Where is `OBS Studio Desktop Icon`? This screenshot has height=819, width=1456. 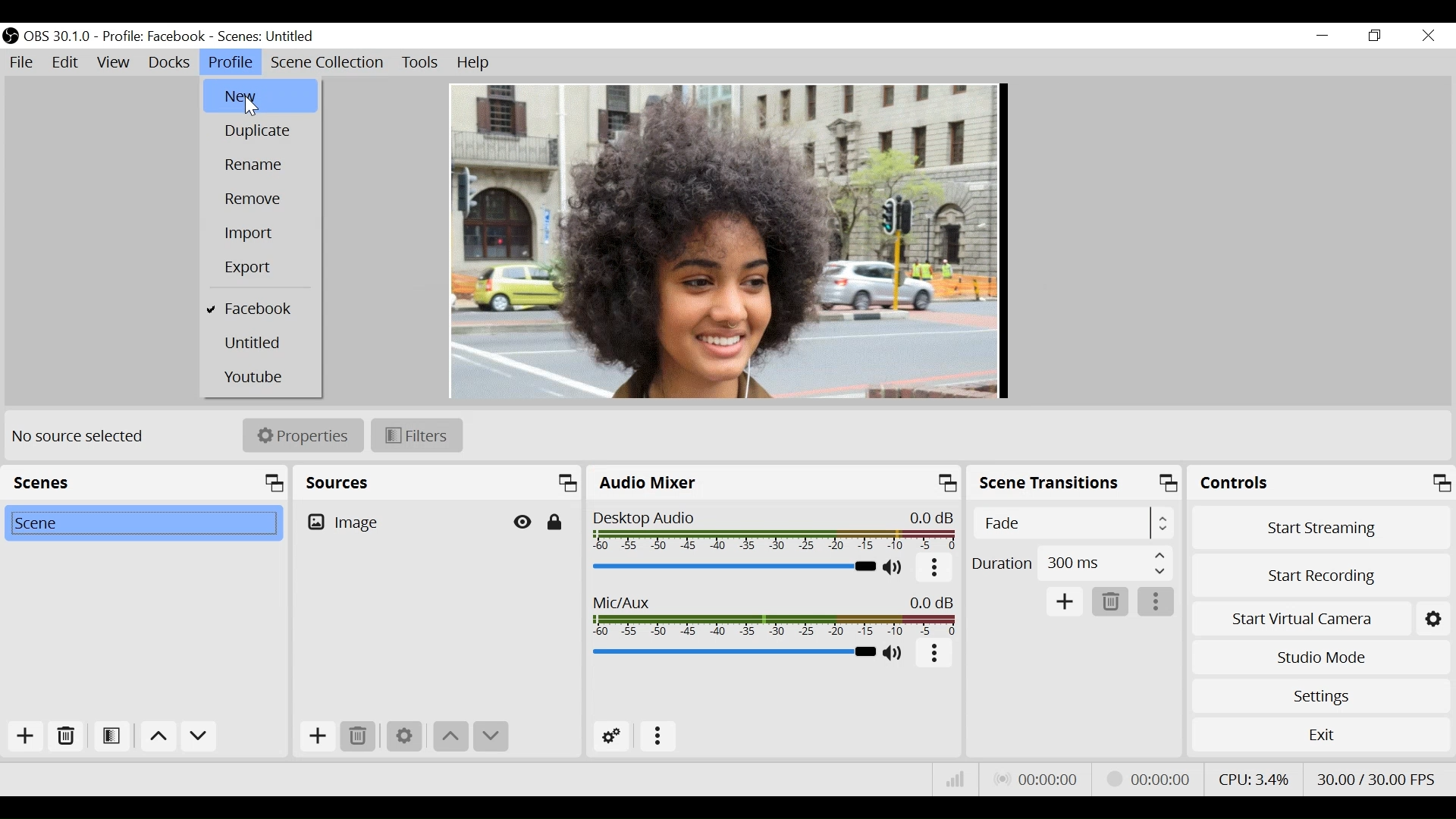
OBS Studio Desktop Icon is located at coordinates (11, 35).